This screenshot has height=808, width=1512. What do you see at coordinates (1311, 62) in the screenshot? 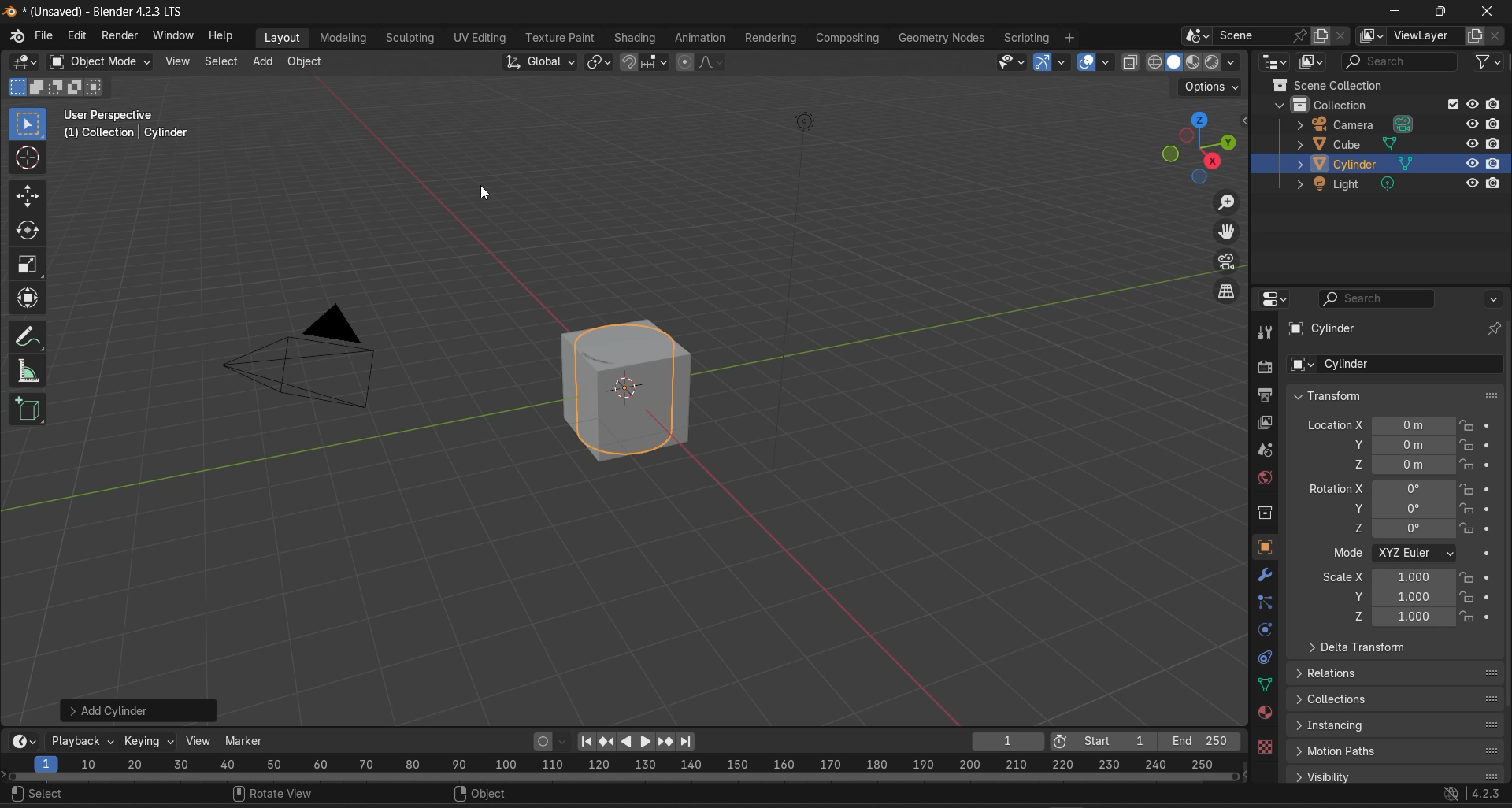
I see `display mode` at bounding box center [1311, 62].